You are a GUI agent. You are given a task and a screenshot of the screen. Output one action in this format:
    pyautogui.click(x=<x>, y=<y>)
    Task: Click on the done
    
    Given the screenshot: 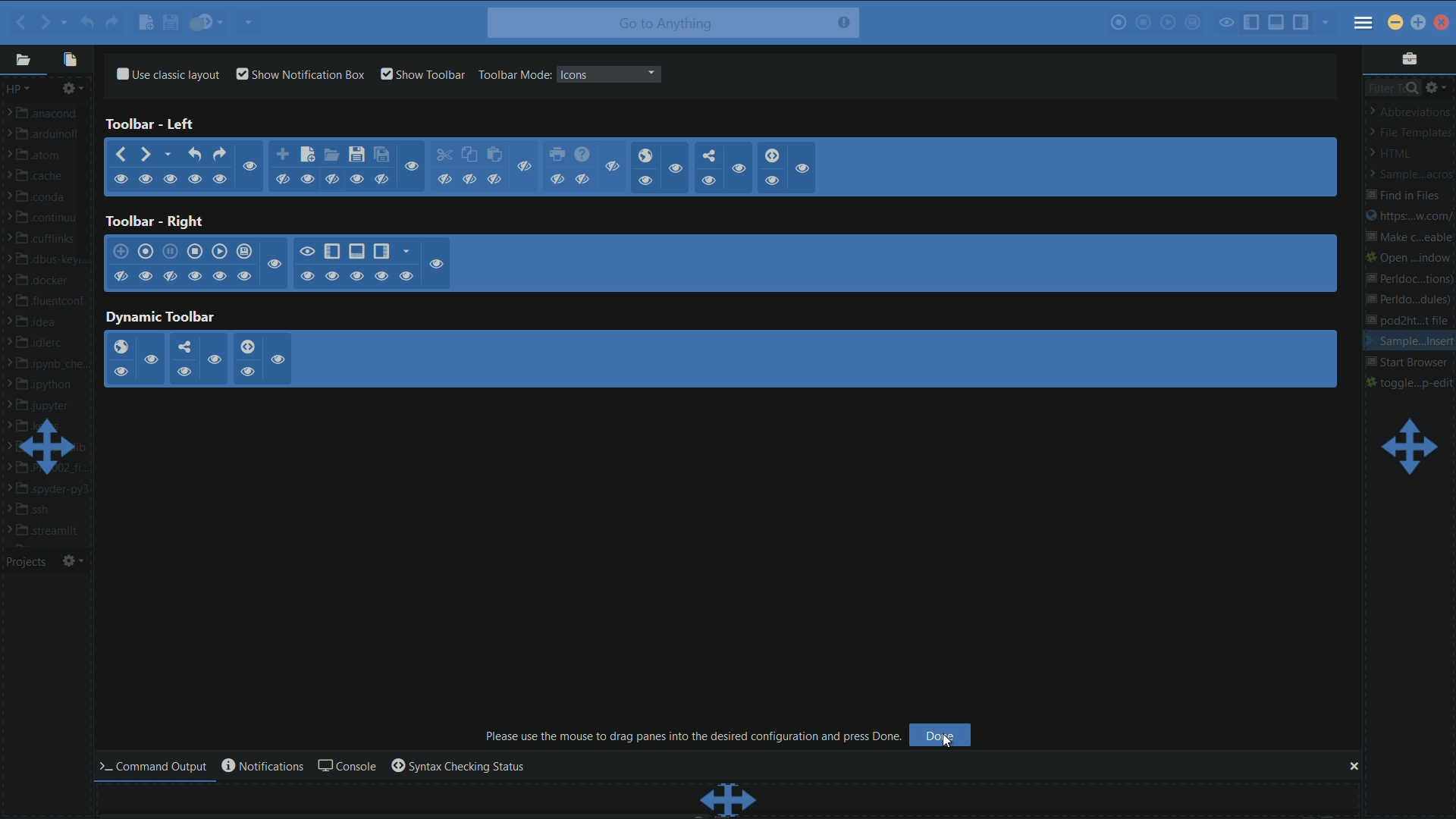 What is the action you would take?
    pyautogui.click(x=941, y=736)
    